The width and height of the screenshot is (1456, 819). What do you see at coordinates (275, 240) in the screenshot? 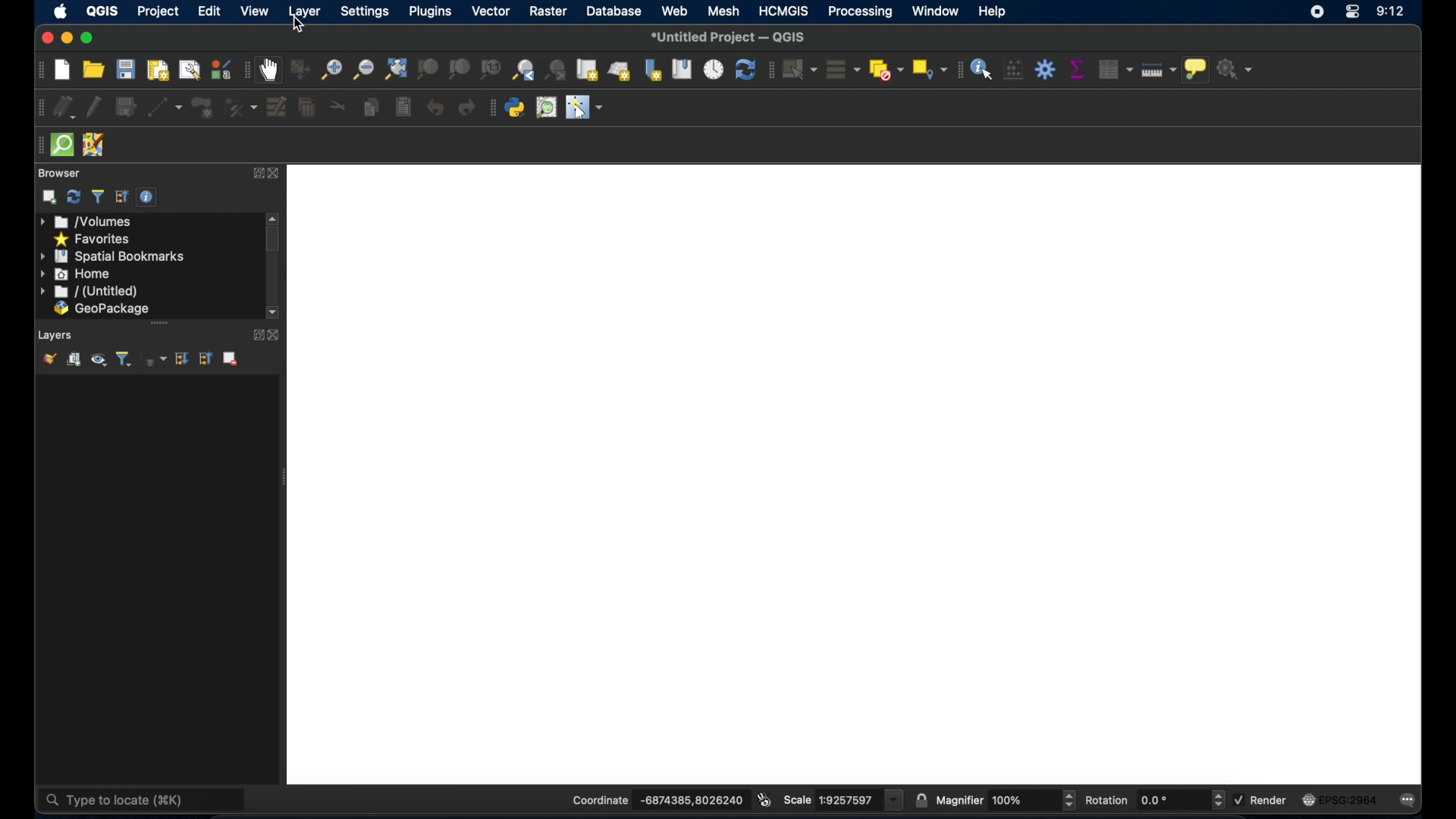
I see `scroll box` at bounding box center [275, 240].